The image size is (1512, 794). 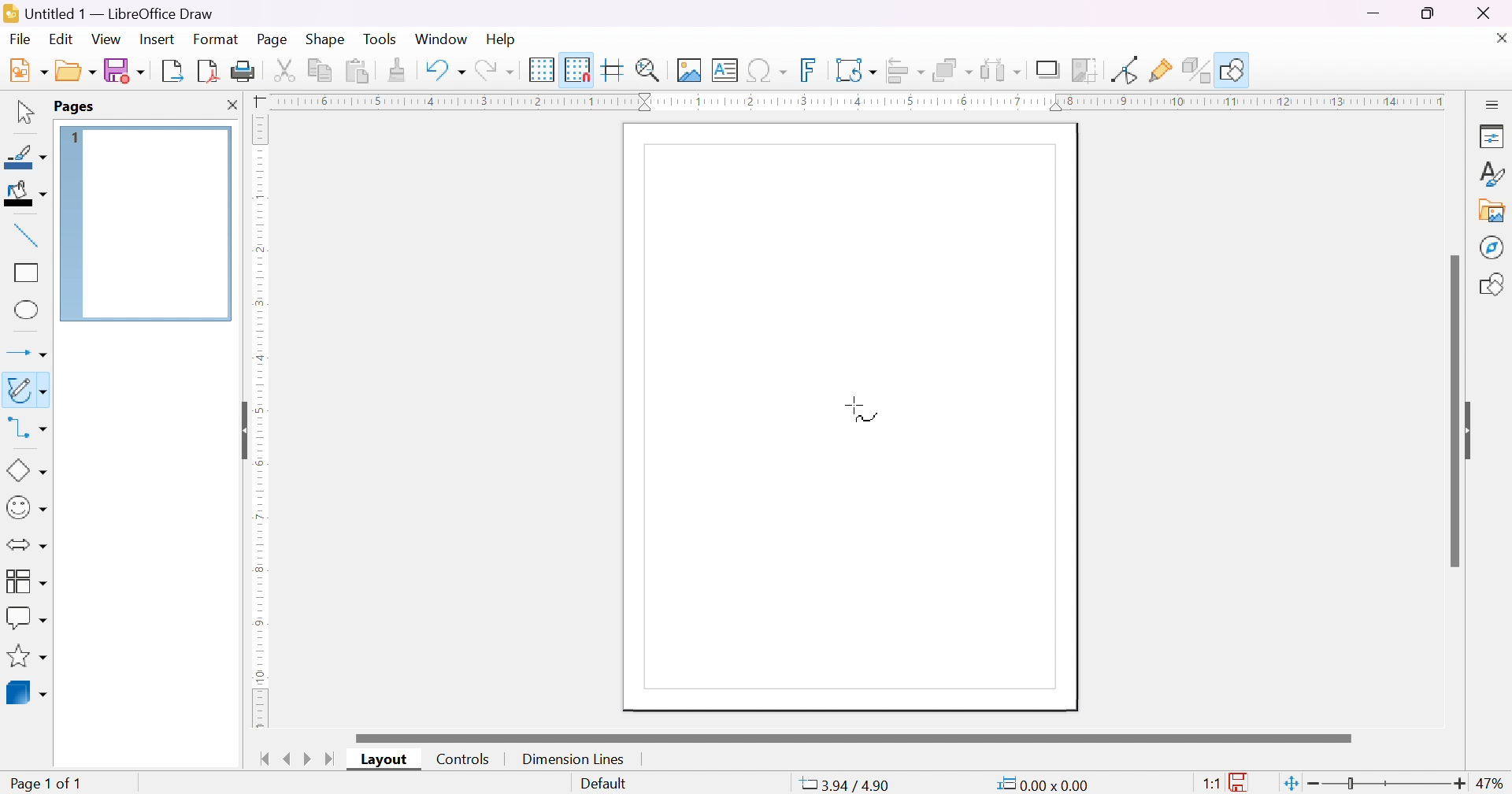 What do you see at coordinates (1373, 13) in the screenshot?
I see `minimize` at bounding box center [1373, 13].